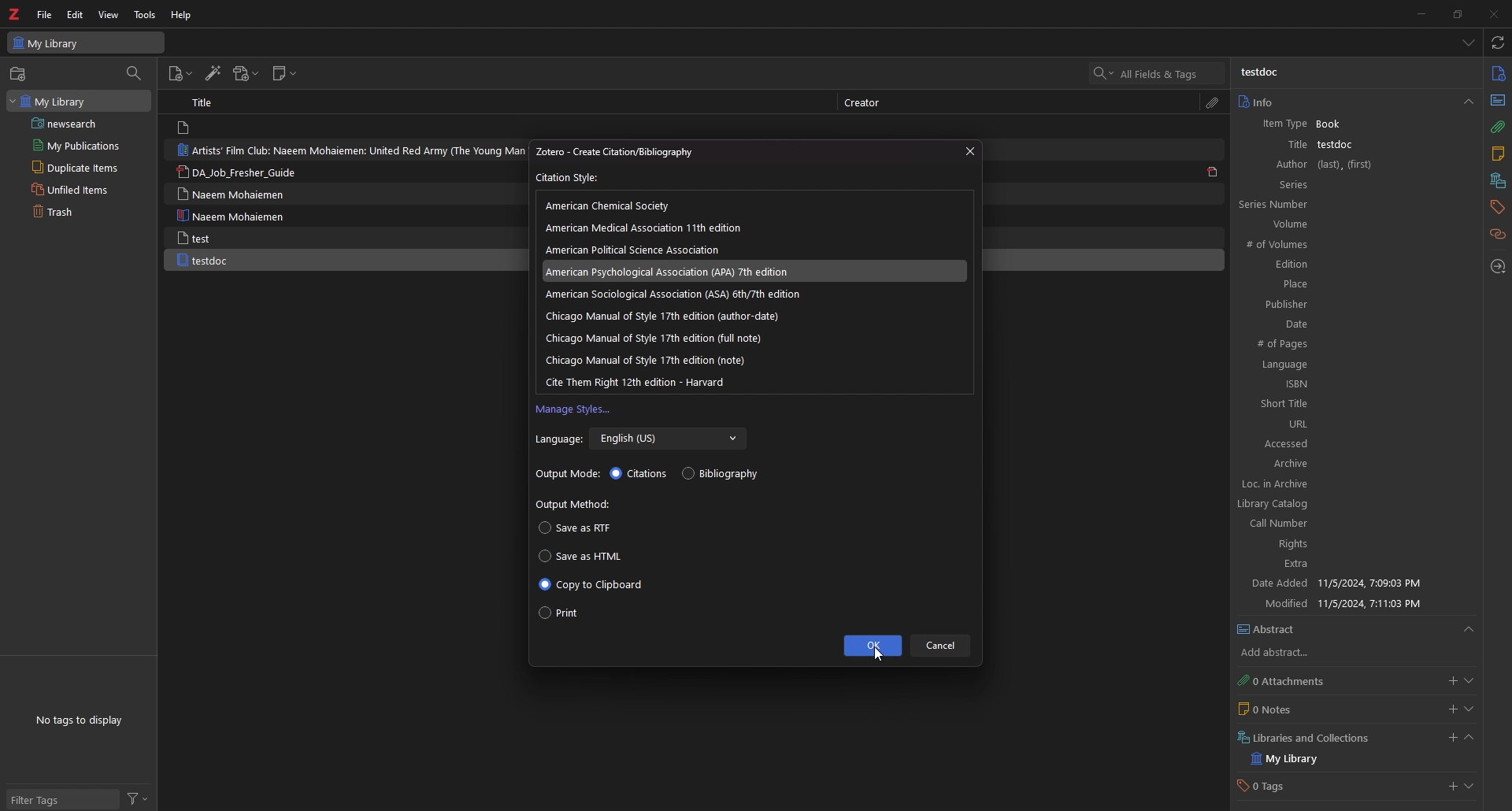 The image size is (1512, 811). I want to click on unfiled items, so click(74, 189).